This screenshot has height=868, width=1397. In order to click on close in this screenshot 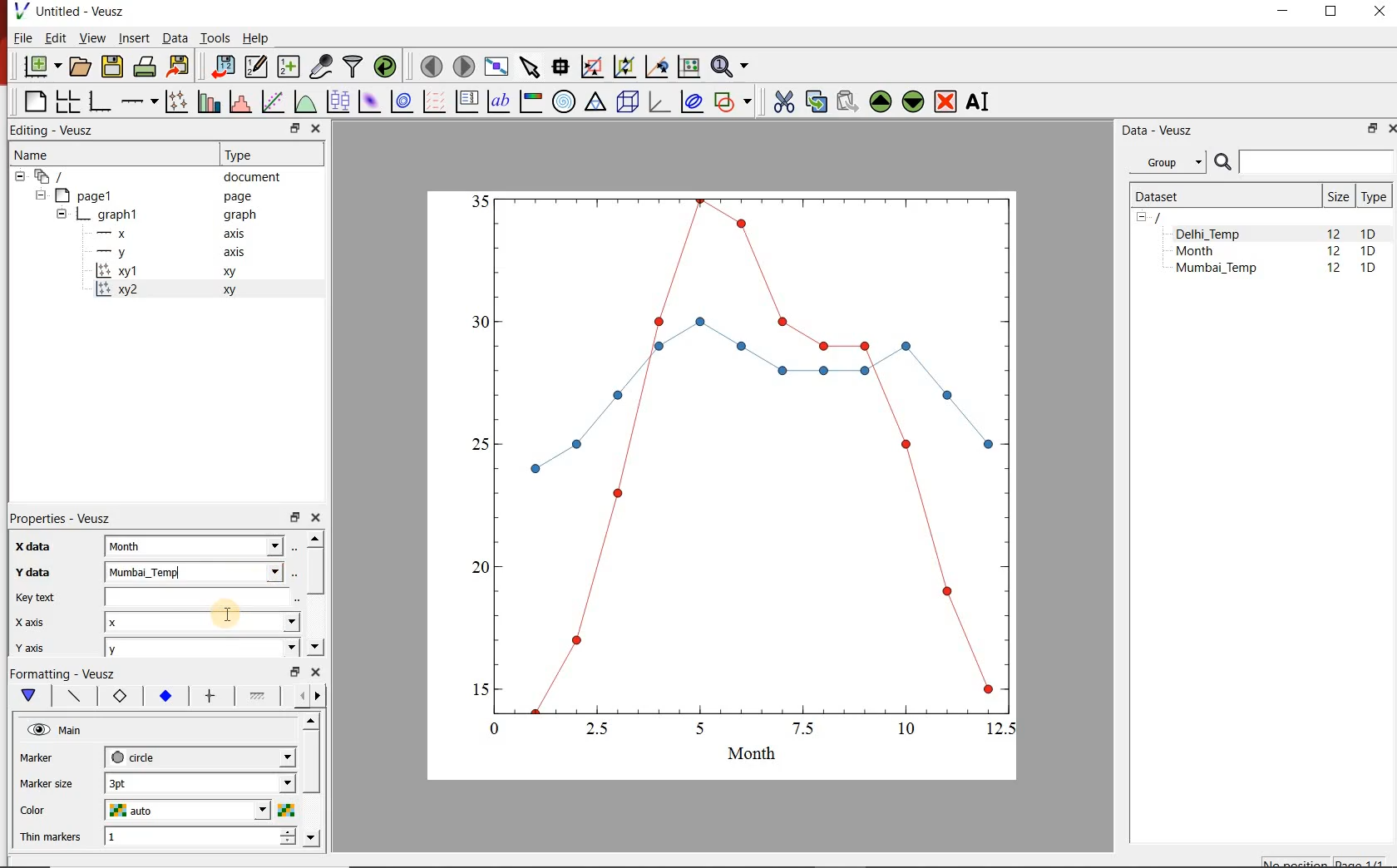, I will do `click(315, 672)`.